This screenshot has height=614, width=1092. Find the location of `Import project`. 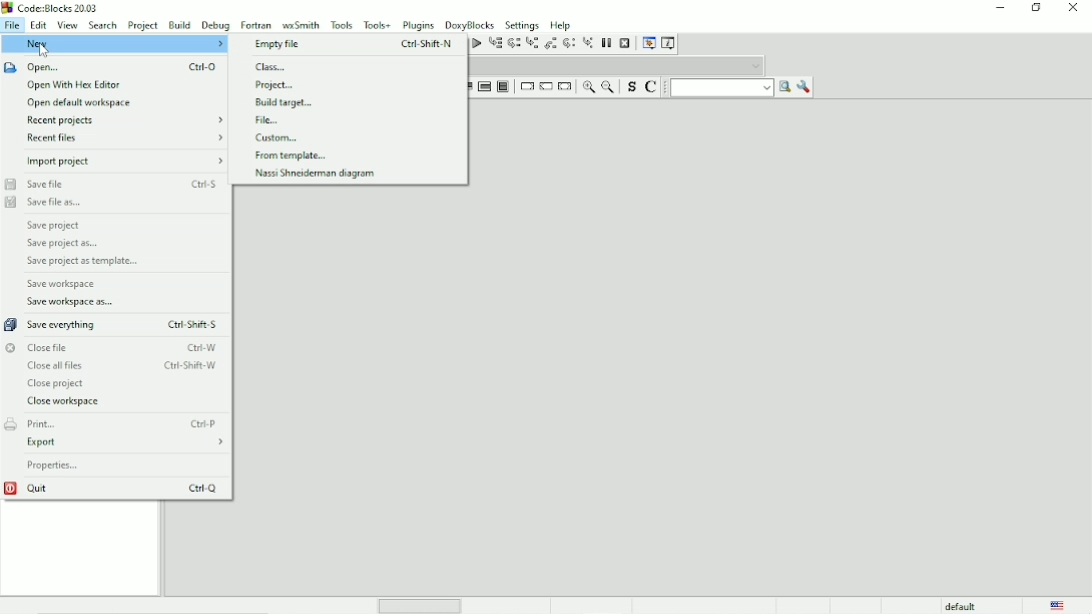

Import project is located at coordinates (125, 161).